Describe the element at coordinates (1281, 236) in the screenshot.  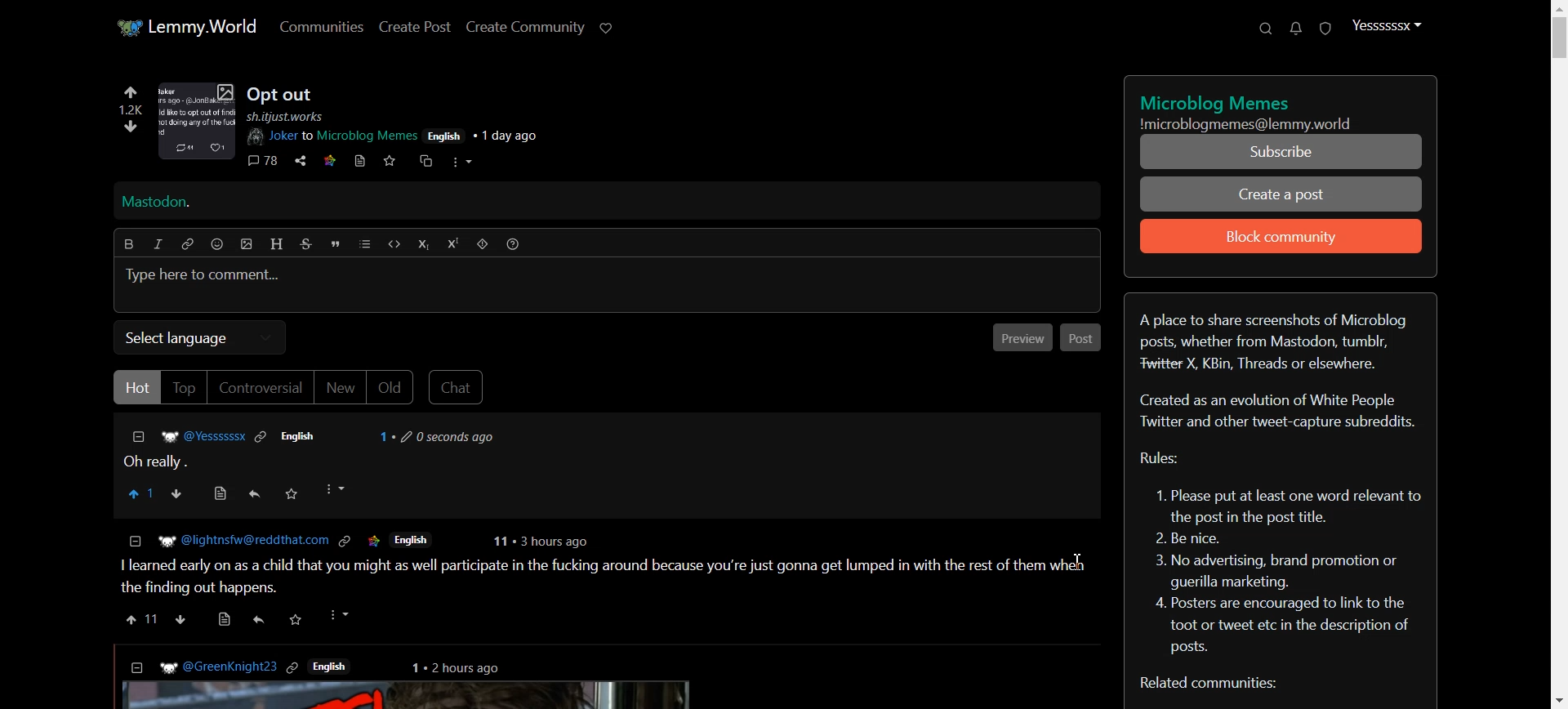
I see `Block community` at that location.